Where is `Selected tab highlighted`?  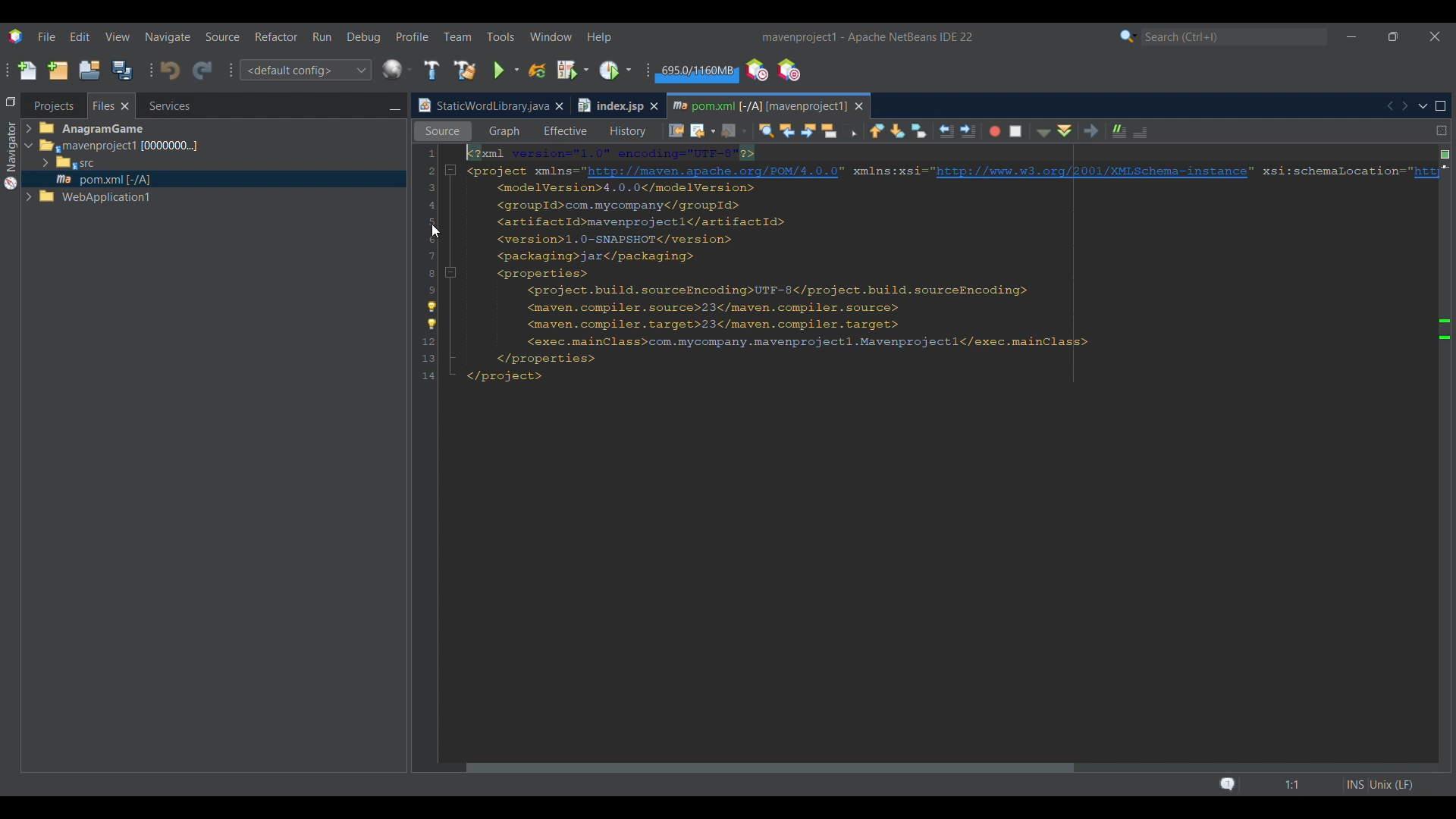 Selected tab highlighted is located at coordinates (281, 145).